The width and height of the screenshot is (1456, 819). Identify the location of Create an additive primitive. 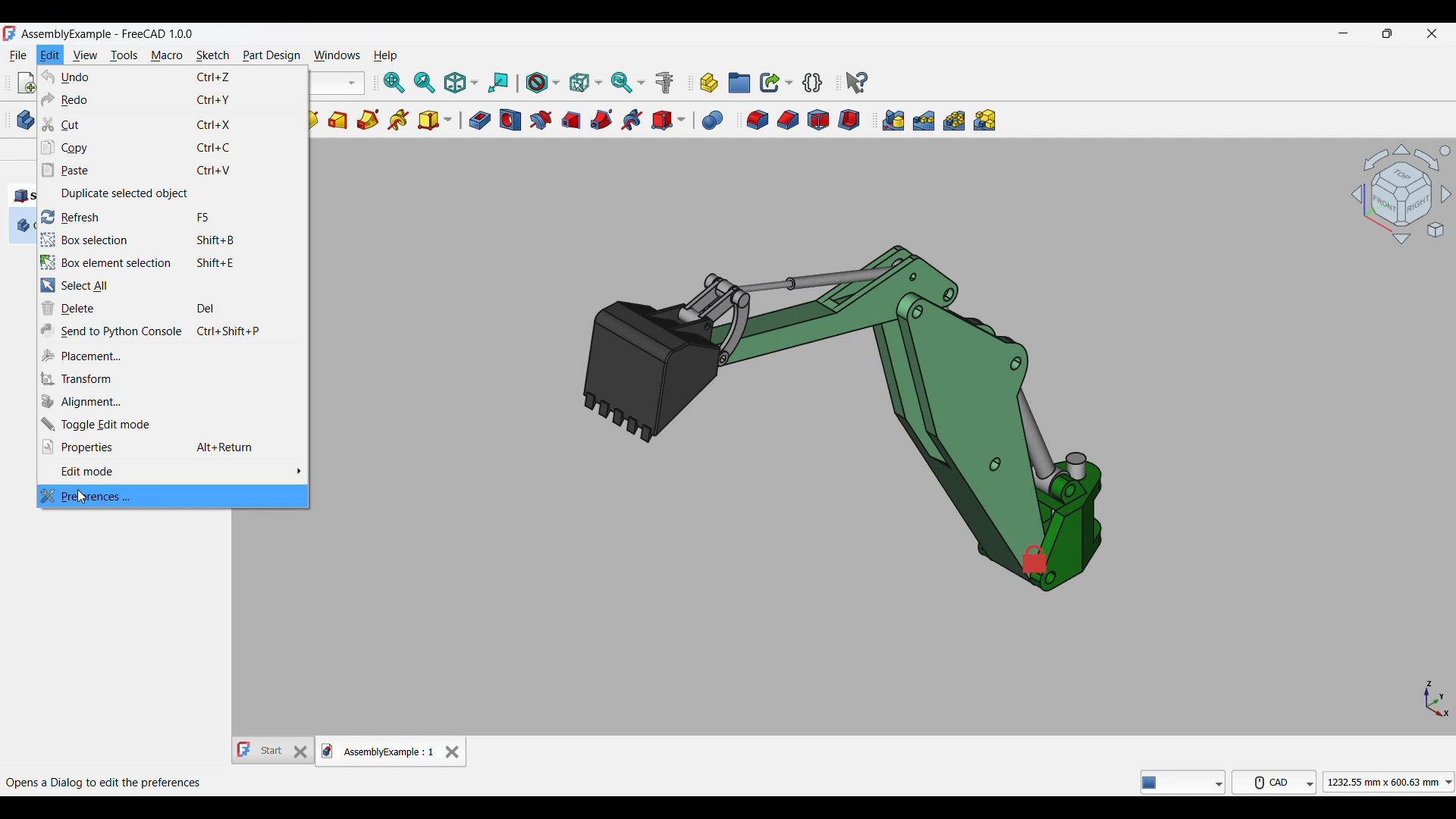
(435, 121).